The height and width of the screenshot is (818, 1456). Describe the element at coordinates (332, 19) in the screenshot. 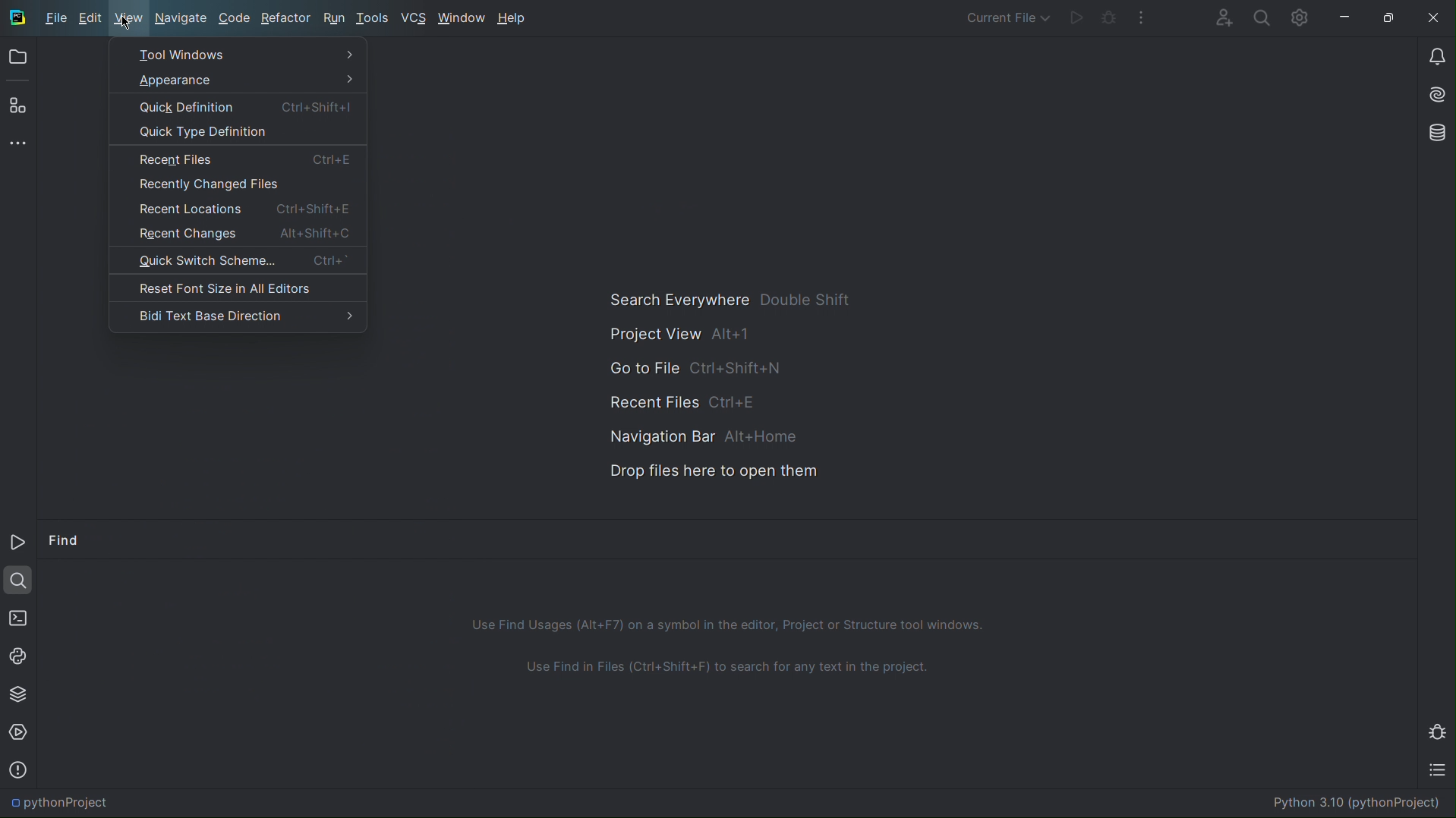

I see `Run` at that location.